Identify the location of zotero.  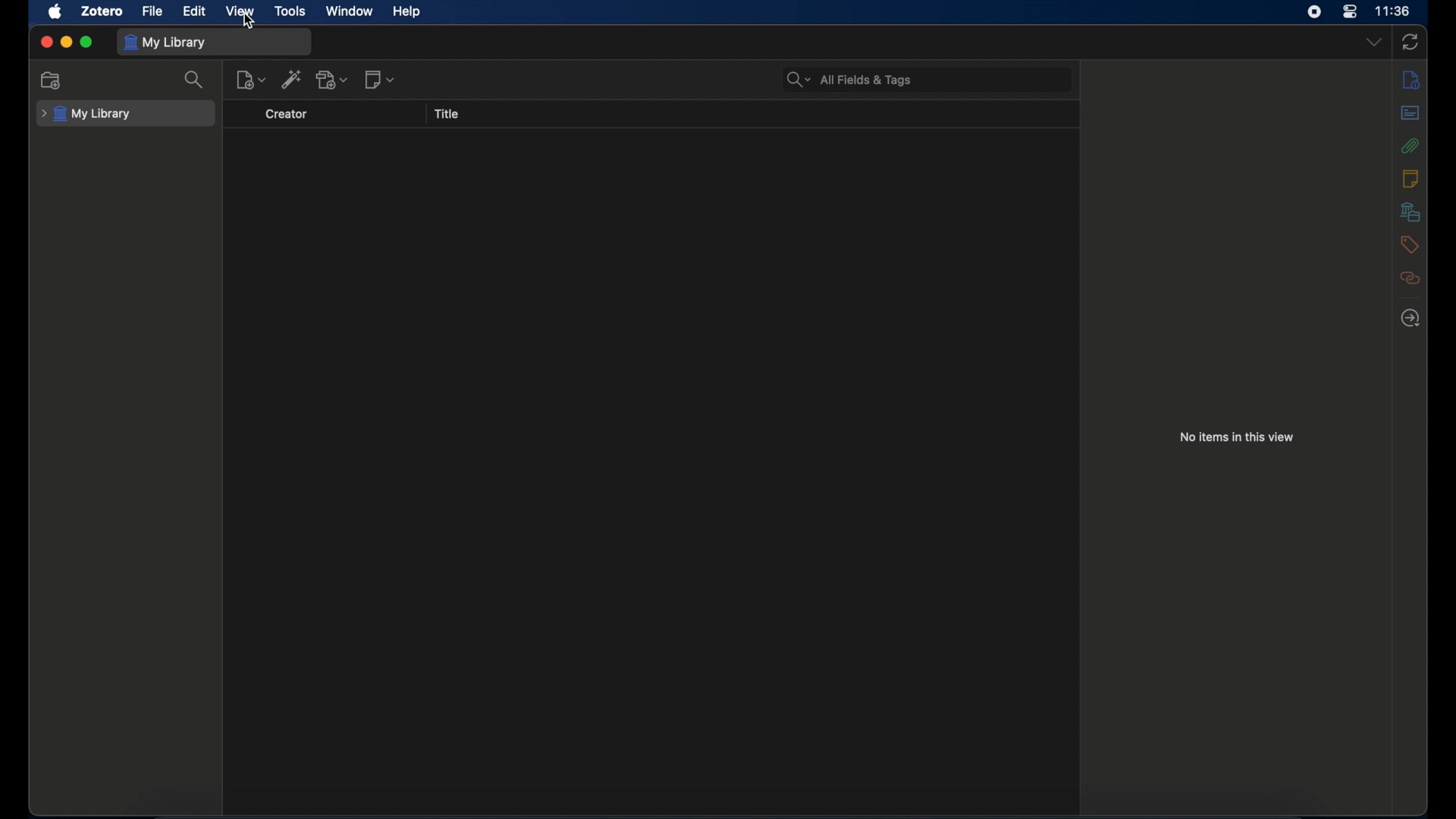
(102, 11).